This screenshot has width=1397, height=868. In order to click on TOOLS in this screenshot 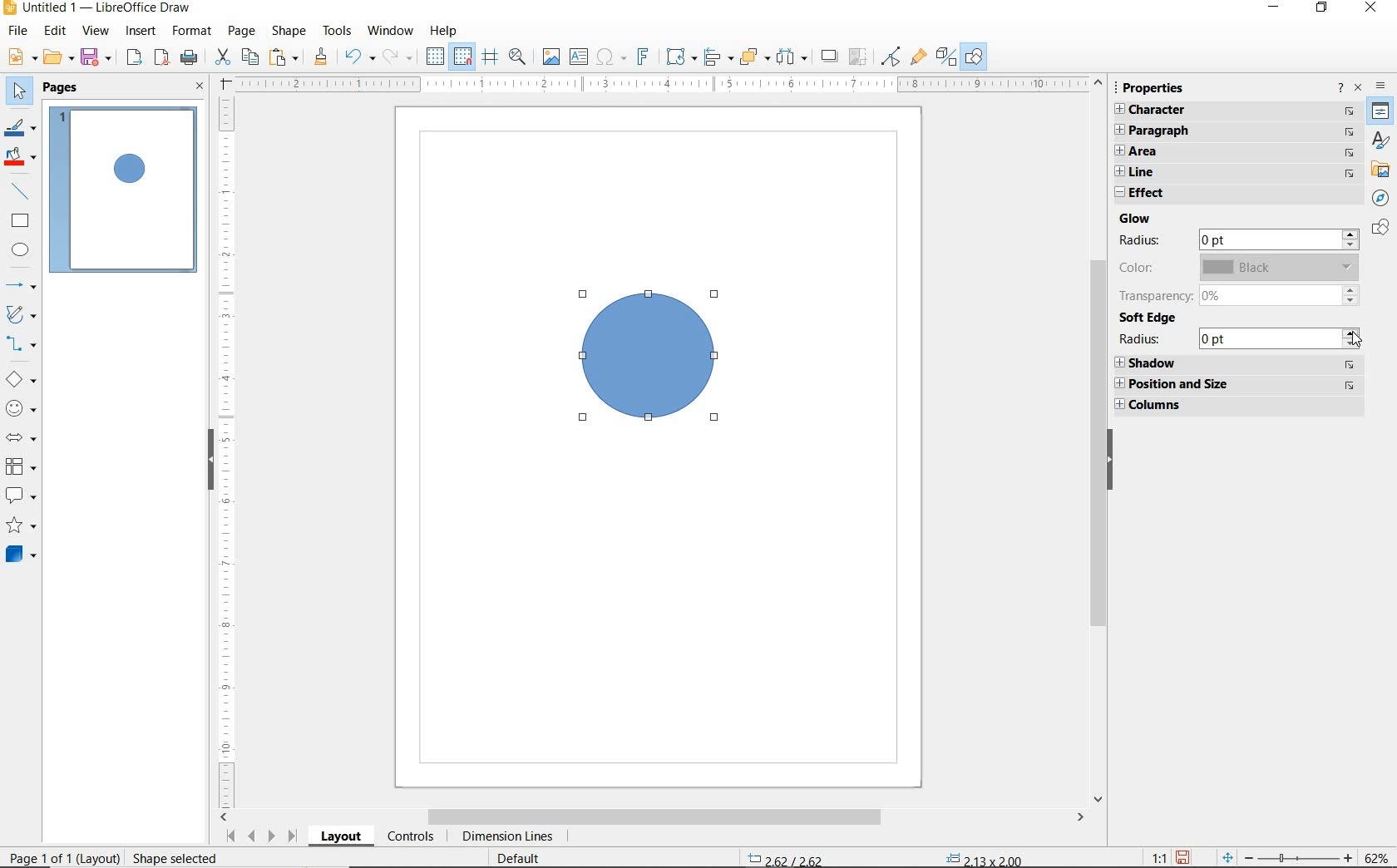, I will do `click(338, 32)`.